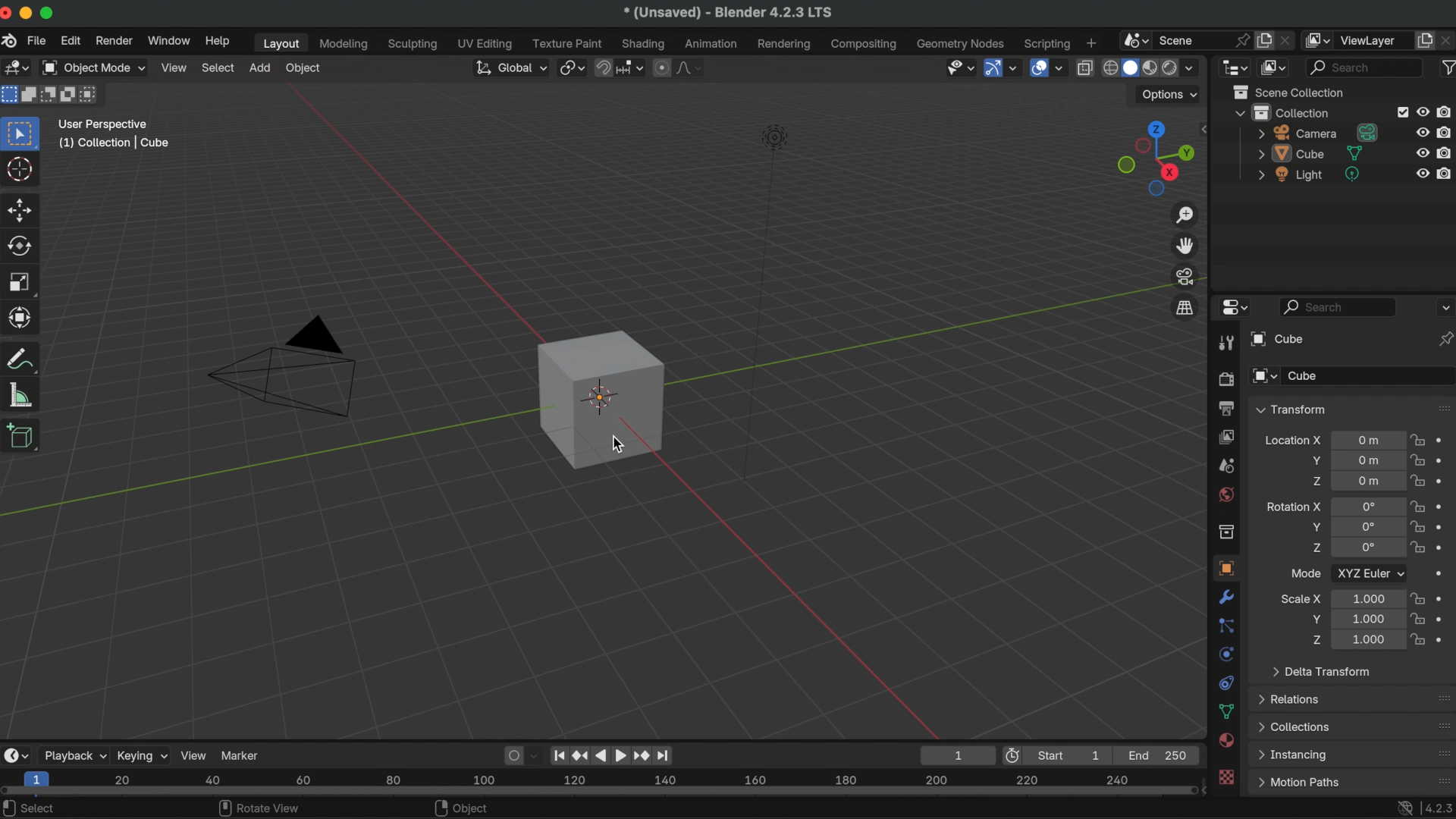 The height and width of the screenshot is (819, 1456). What do you see at coordinates (1275, 67) in the screenshot?
I see `display mode` at bounding box center [1275, 67].